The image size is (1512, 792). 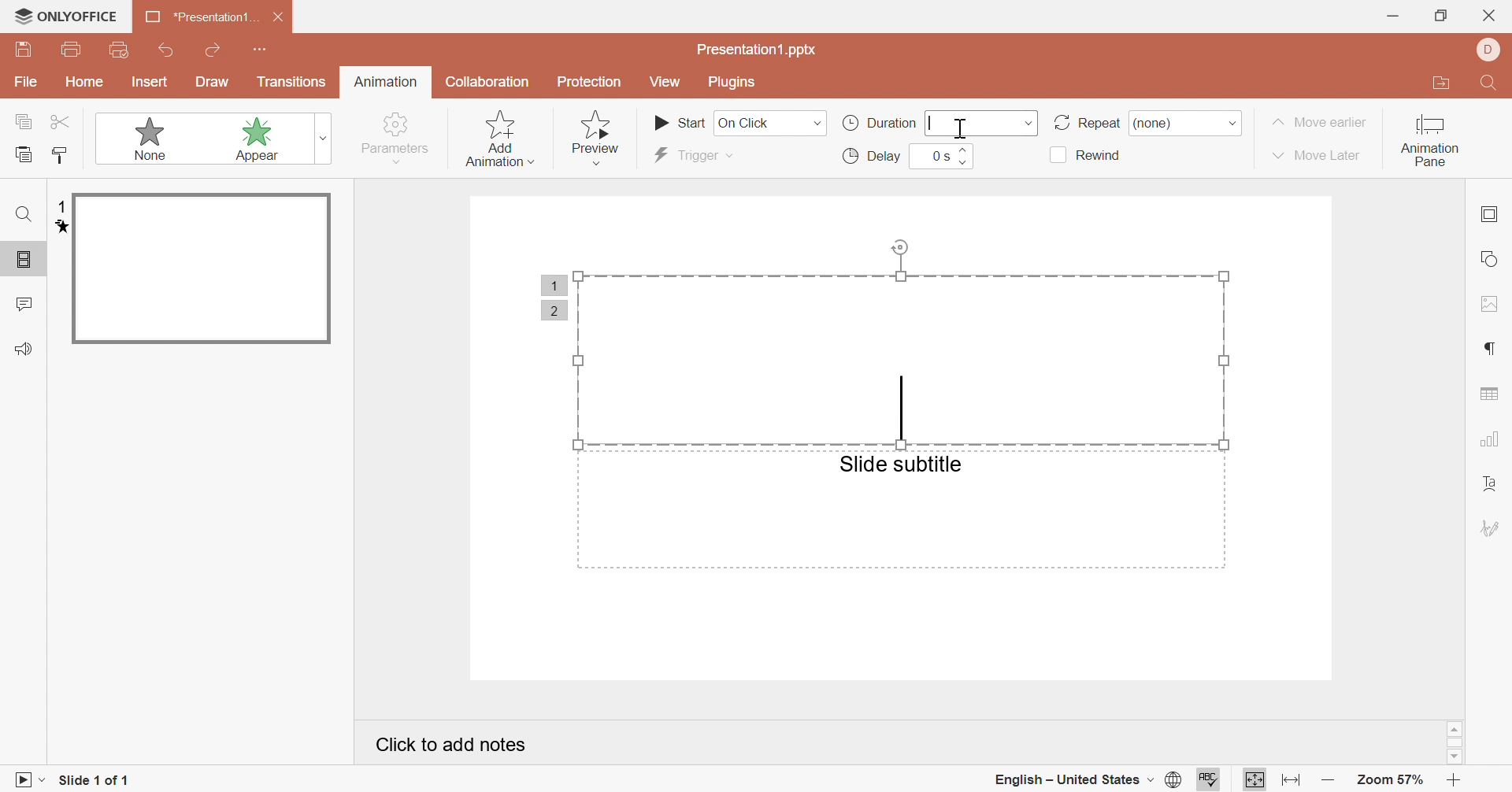 What do you see at coordinates (1072, 781) in the screenshot?
I see `english - united states` at bounding box center [1072, 781].